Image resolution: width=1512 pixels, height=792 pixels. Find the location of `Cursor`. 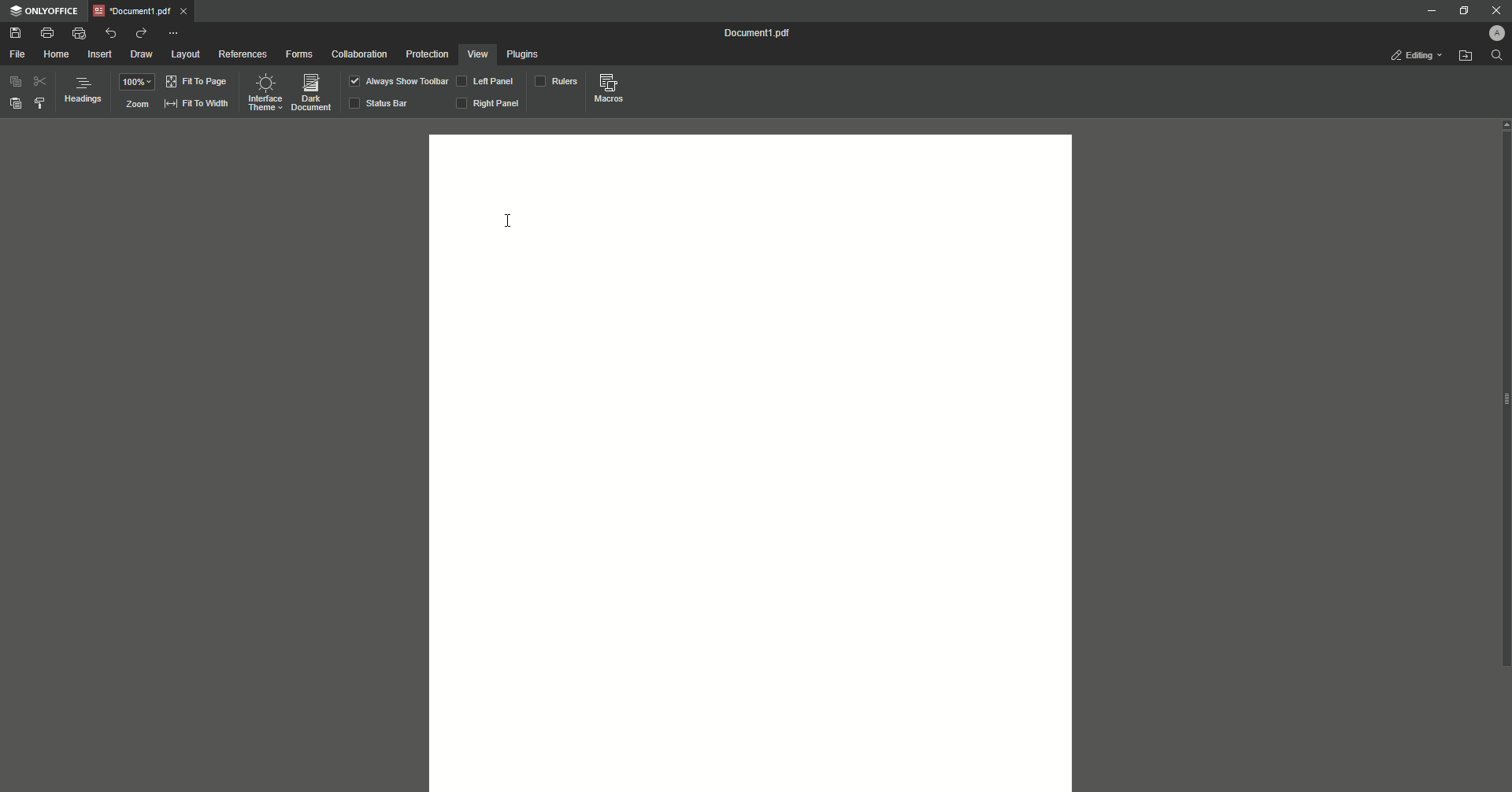

Cursor is located at coordinates (510, 221).